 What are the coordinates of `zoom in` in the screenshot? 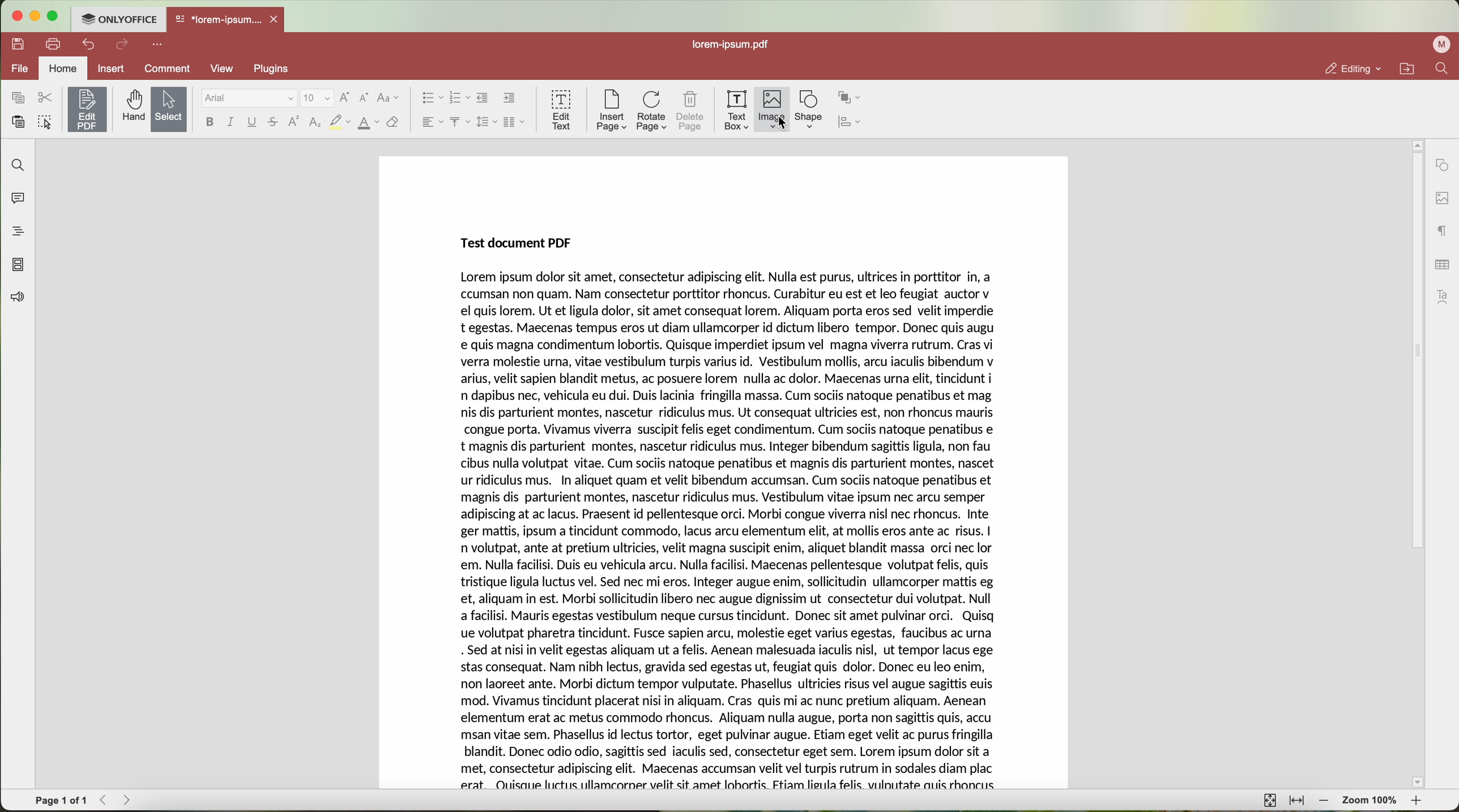 It's located at (1418, 803).